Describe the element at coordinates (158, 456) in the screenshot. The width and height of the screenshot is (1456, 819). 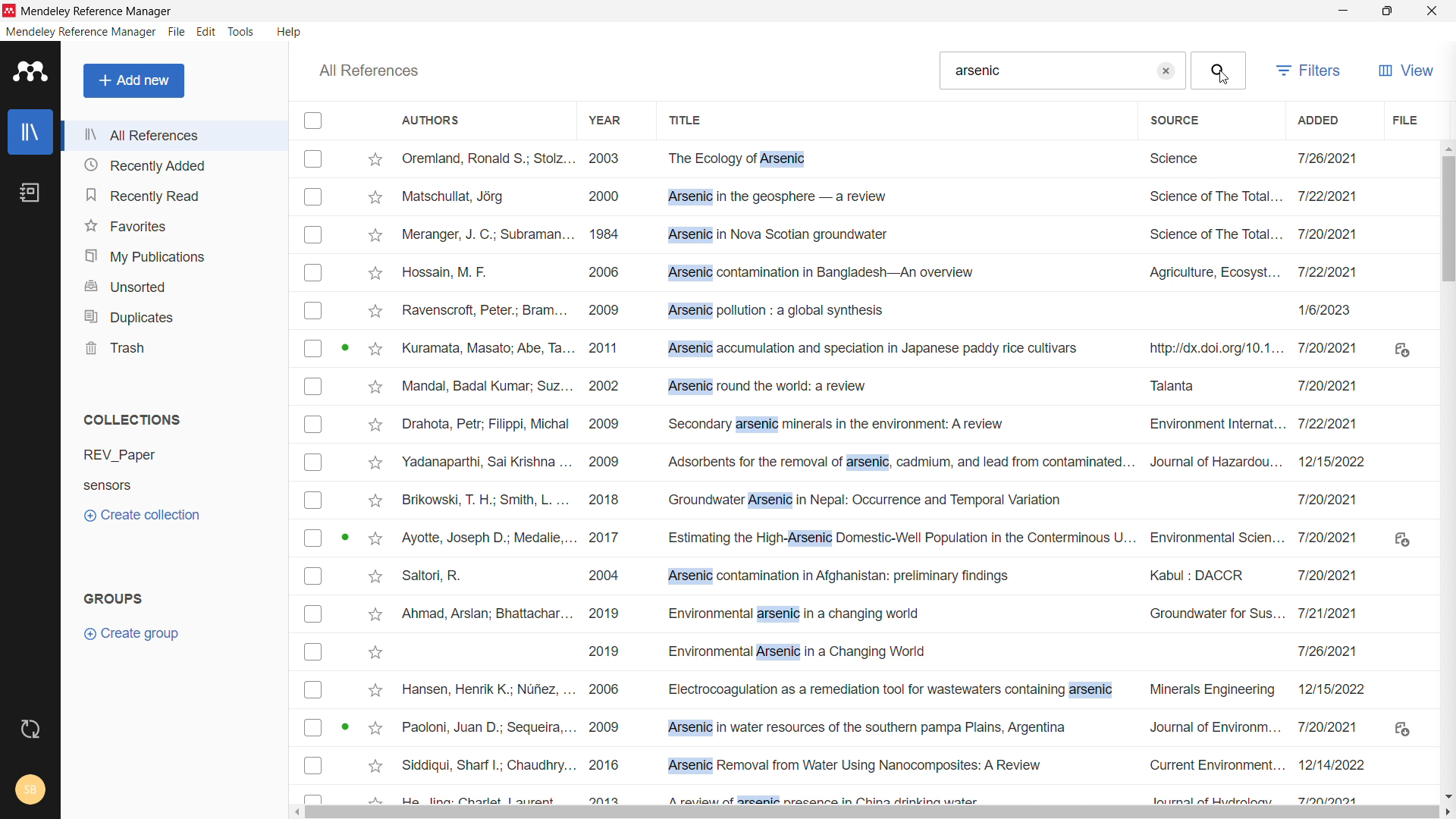
I see `REV_Paper` at that location.